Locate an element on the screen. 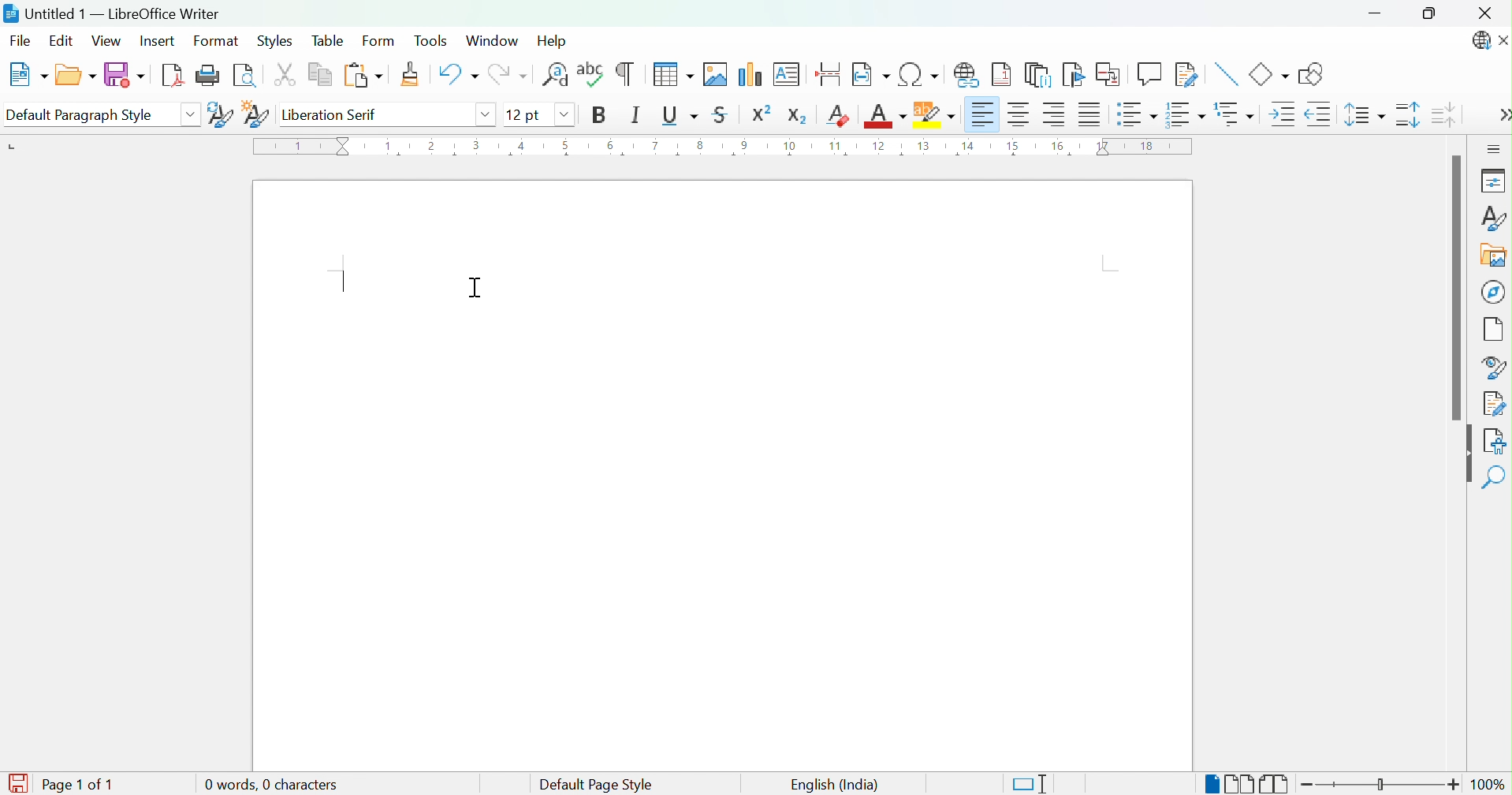 The height and width of the screenshot is (795, 1512). Book view is located at coordinates (1275, 785).